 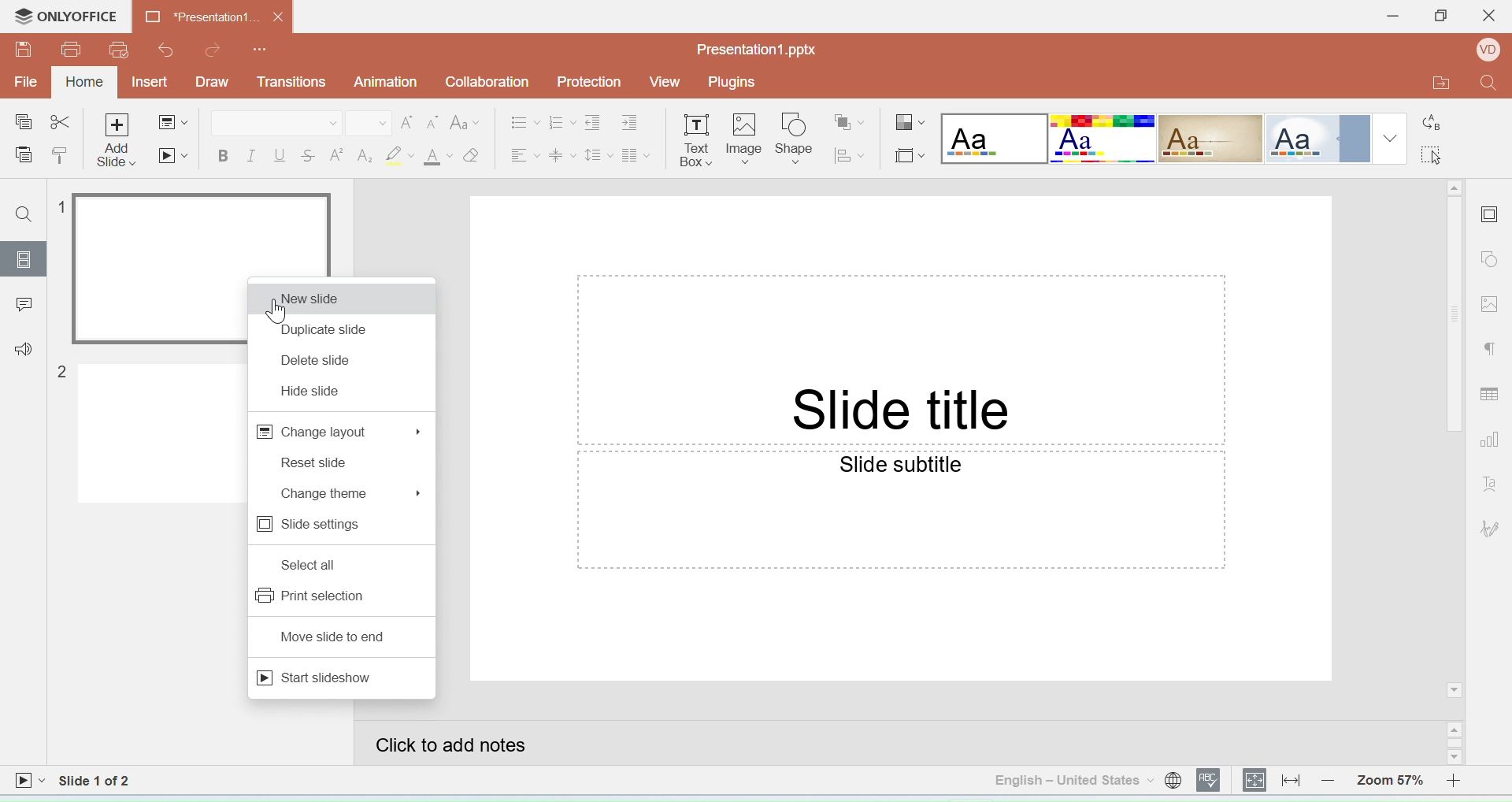 I want to click on slide 2, so click(x=144, y=436).